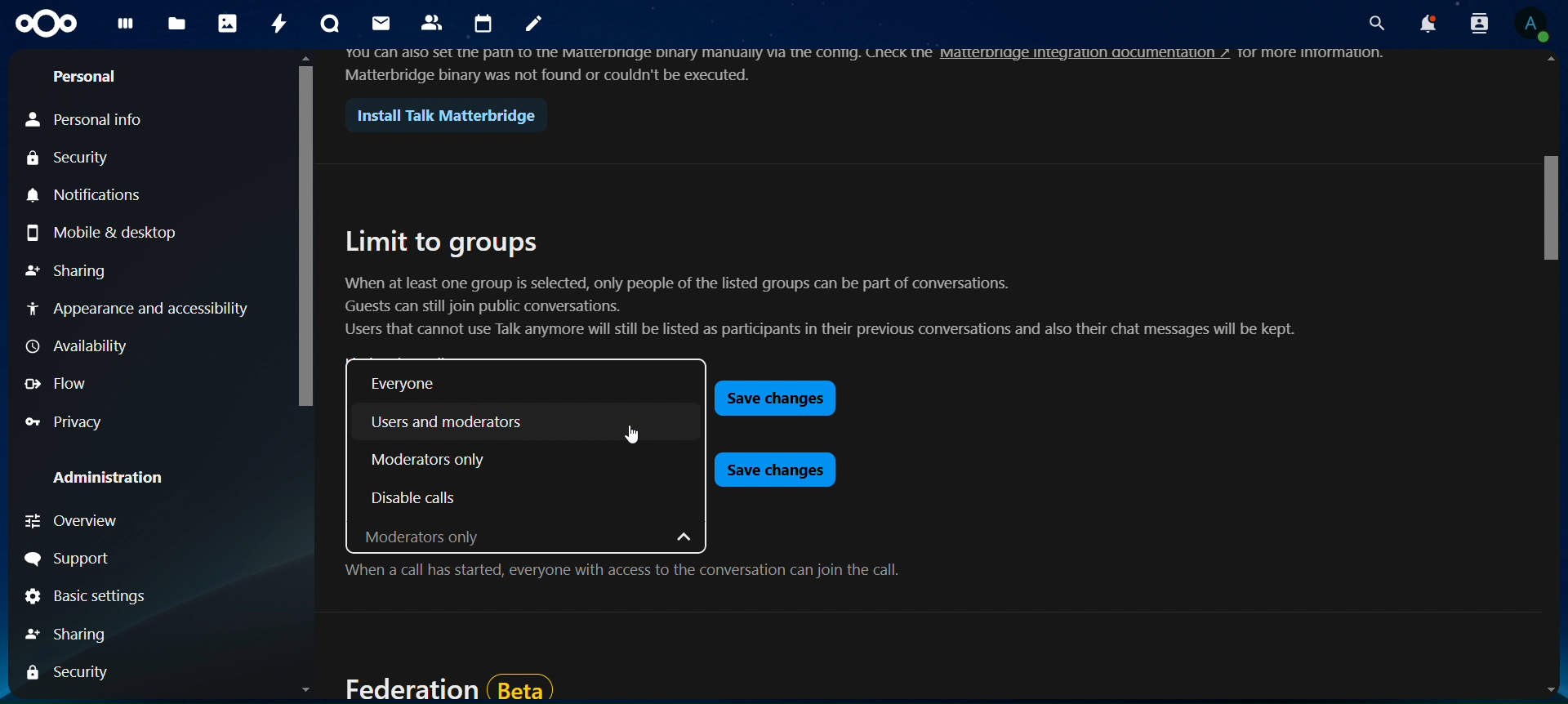  Describe the element at coordinates (84, 599) in the screenshot. I see `basic settings` at that location.